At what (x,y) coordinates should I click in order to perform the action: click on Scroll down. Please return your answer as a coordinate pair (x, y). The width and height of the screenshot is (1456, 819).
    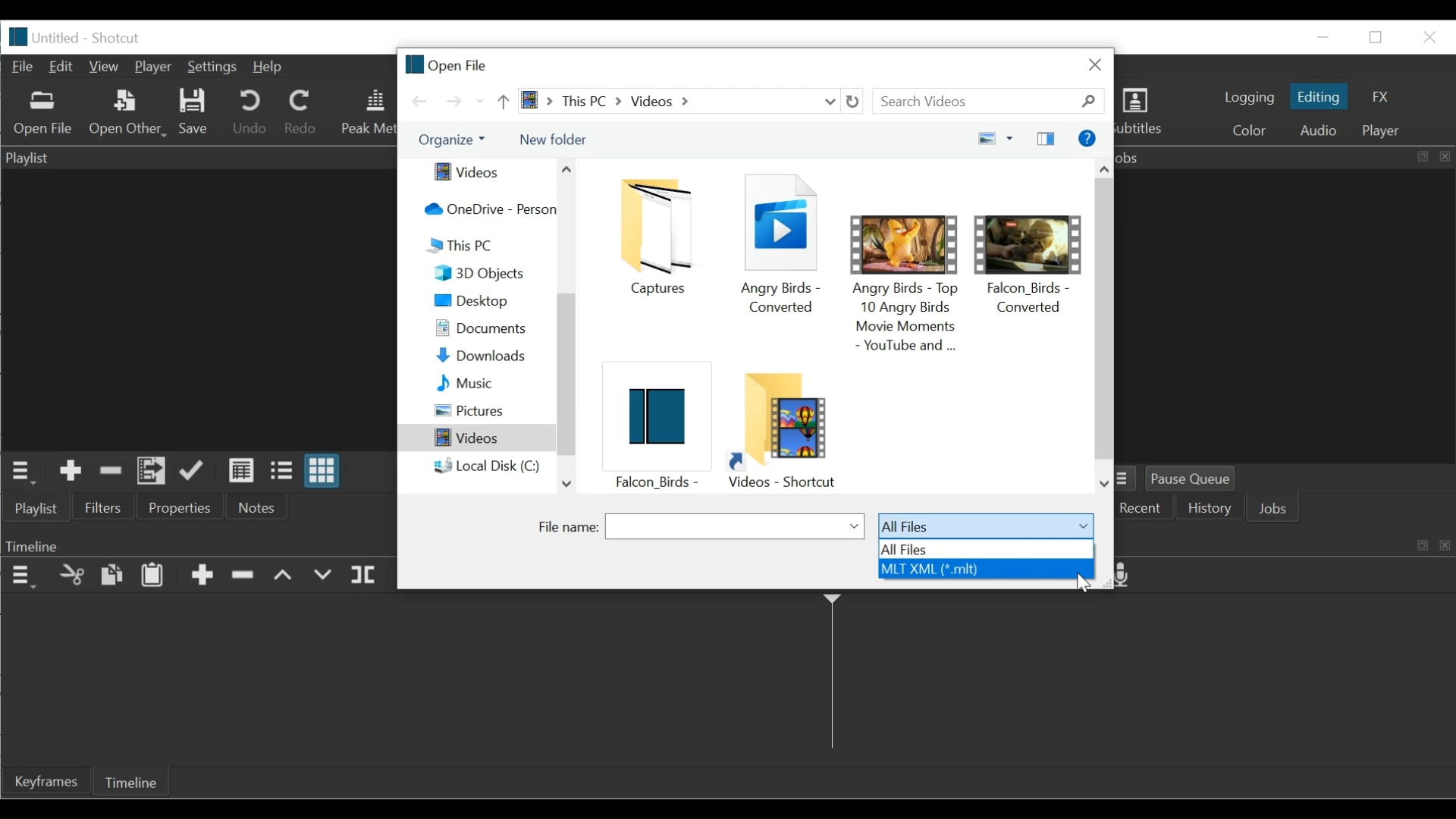
    Looking at the image, I should click on (1105, 485).